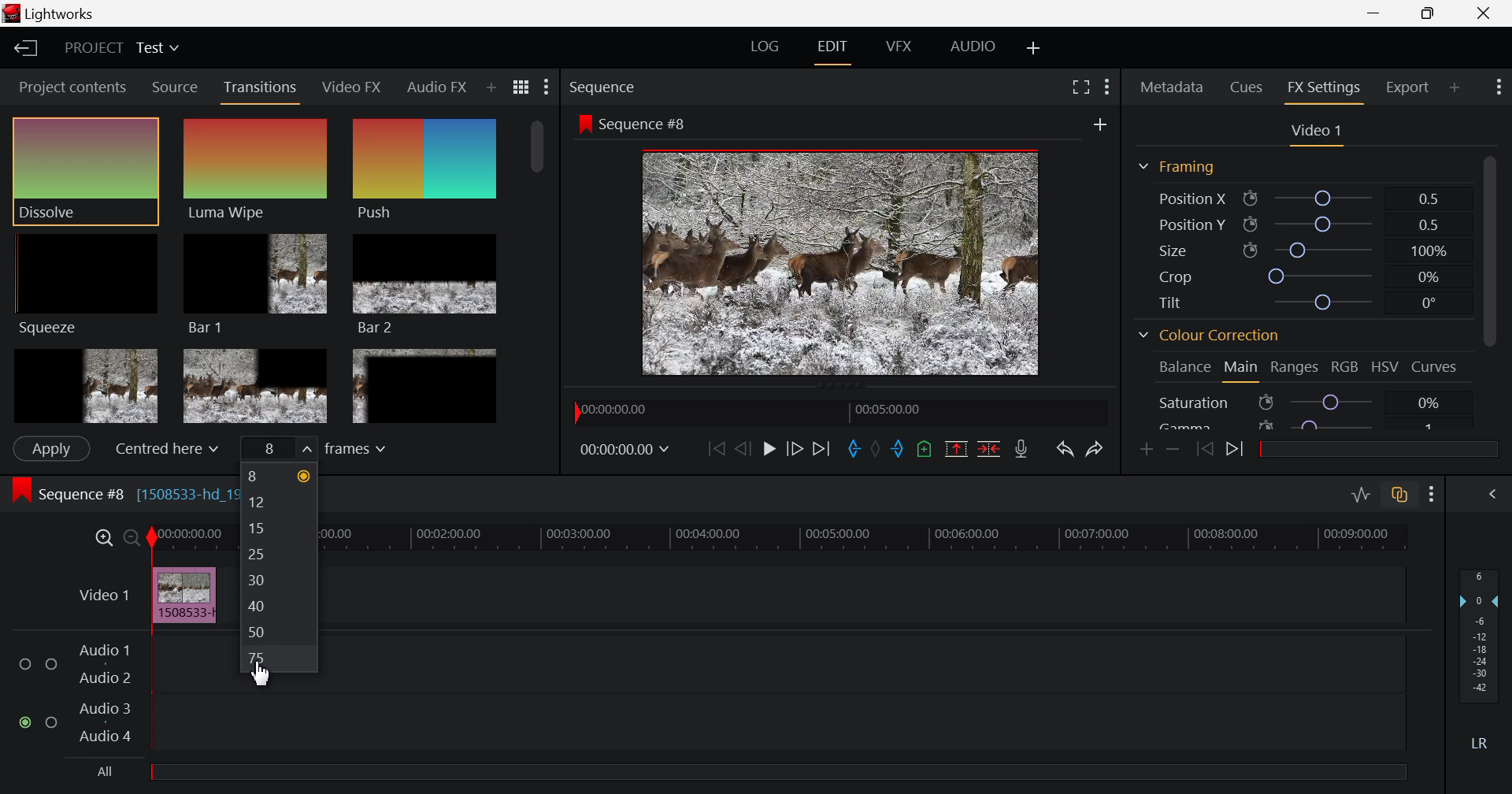 This screenshot has height=794, width=1512. Describe the element at coordinates (1492, 495) in the screenshot. I see `Show Audio Mix` at that location.